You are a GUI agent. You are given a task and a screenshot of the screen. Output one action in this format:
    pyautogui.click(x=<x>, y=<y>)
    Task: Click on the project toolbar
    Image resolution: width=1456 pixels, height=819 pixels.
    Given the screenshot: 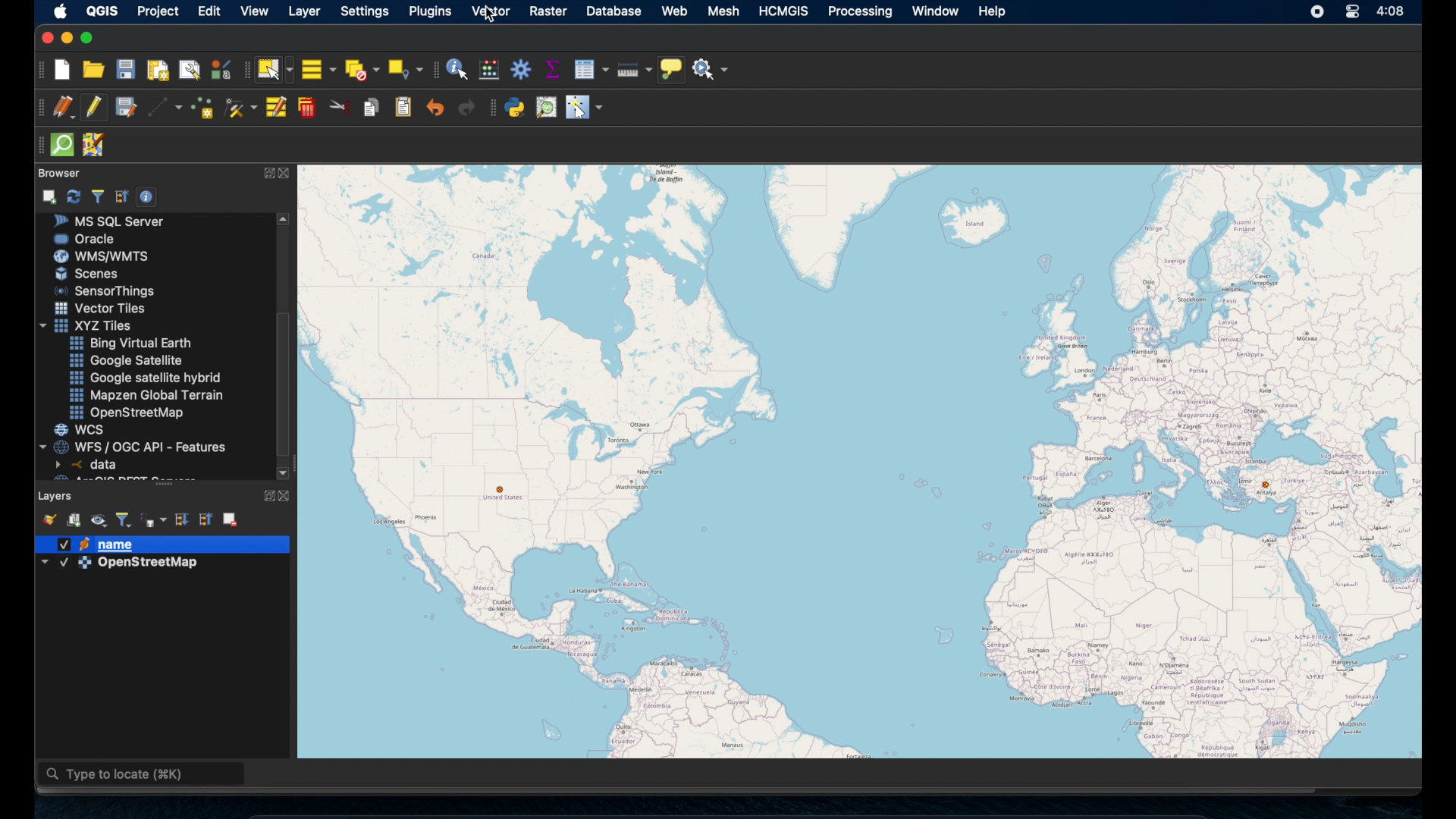 What is the action you would take?
    pyautogui.click(x=39, y=70)
    